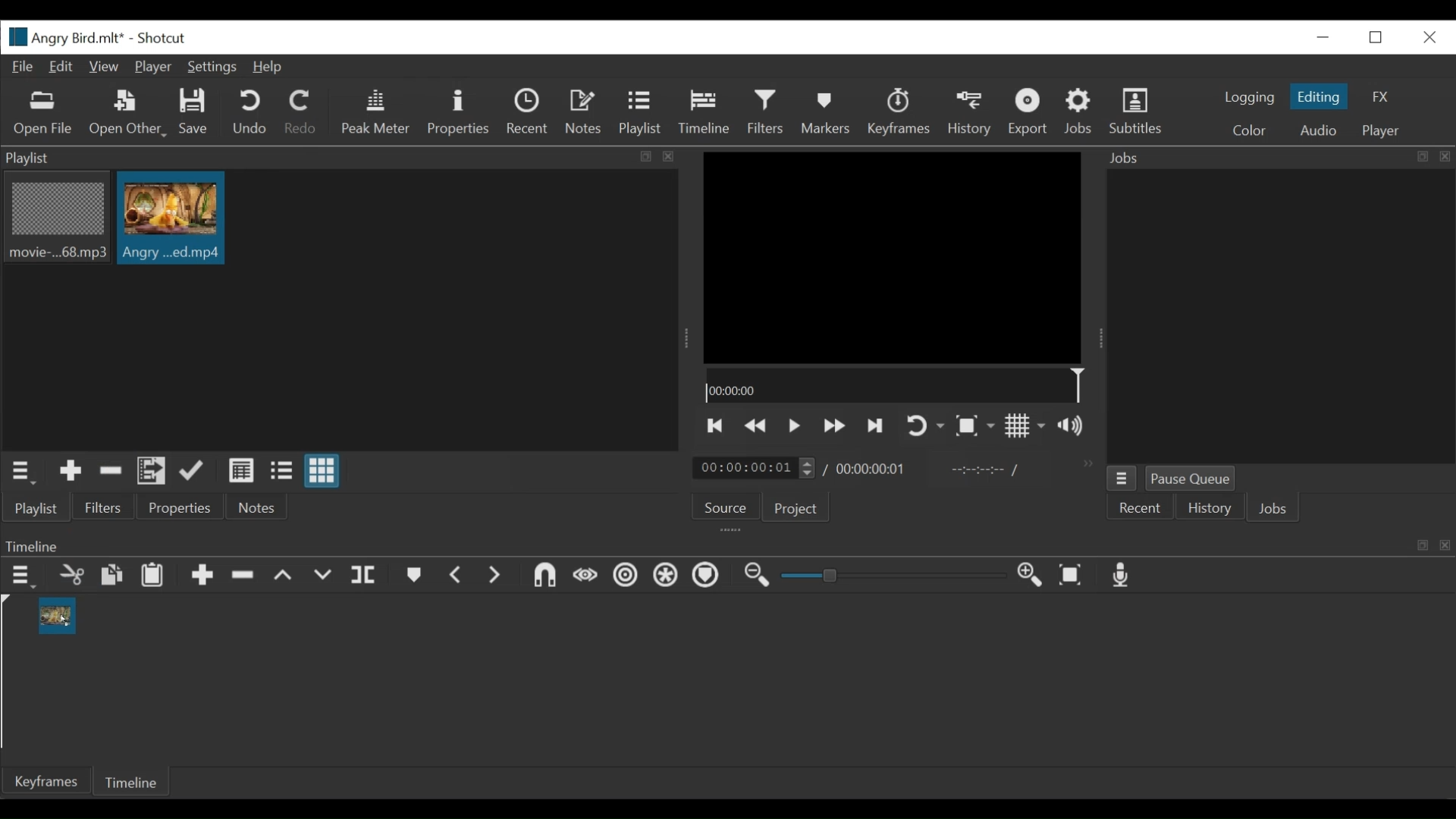  I want to click on Open File, so click(43, 115).